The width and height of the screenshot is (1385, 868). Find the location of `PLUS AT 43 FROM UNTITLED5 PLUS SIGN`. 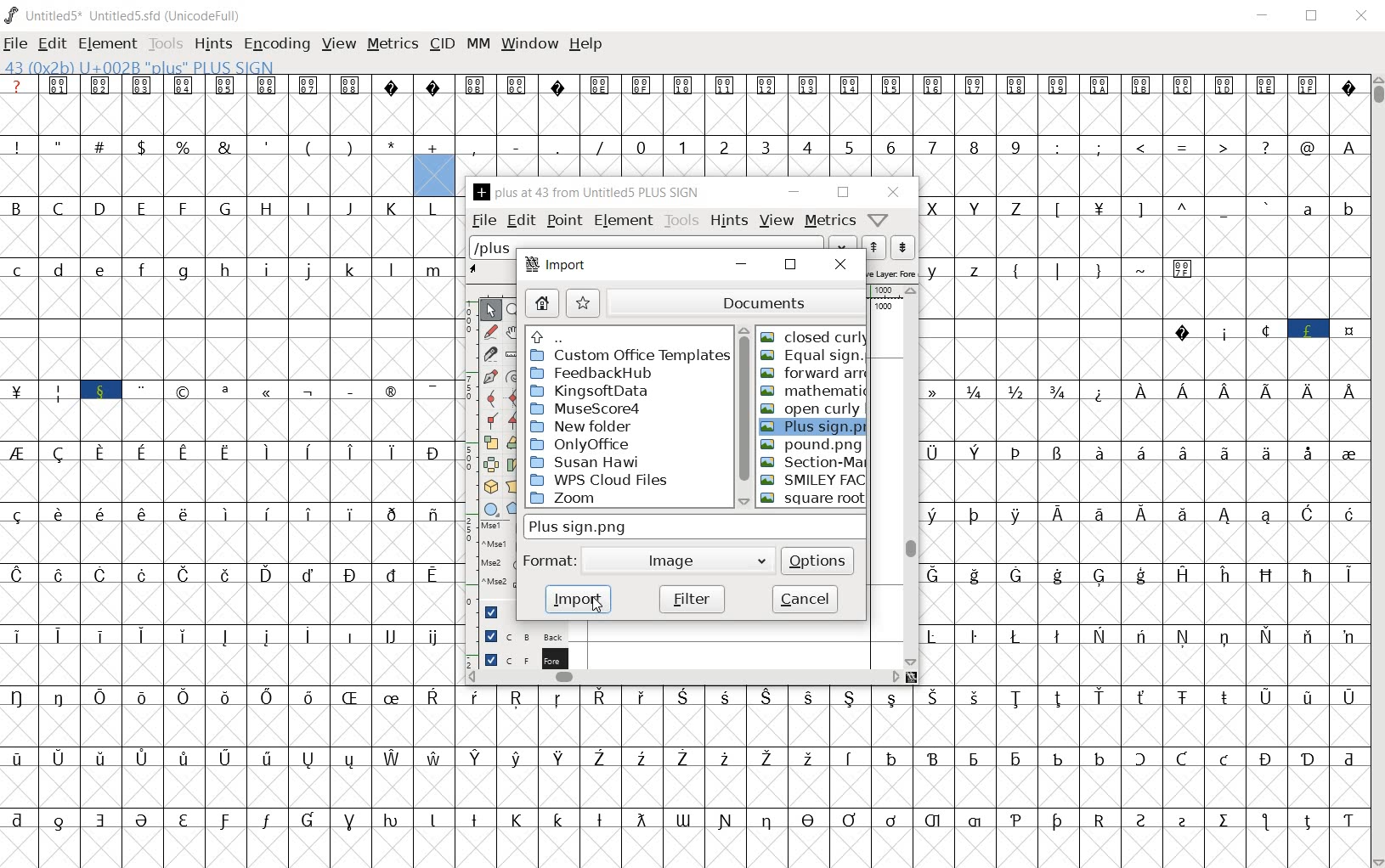

PLUS AT 43 FROM UNTITLED5 PLUS SIGN is located at coordinates (589, 194).